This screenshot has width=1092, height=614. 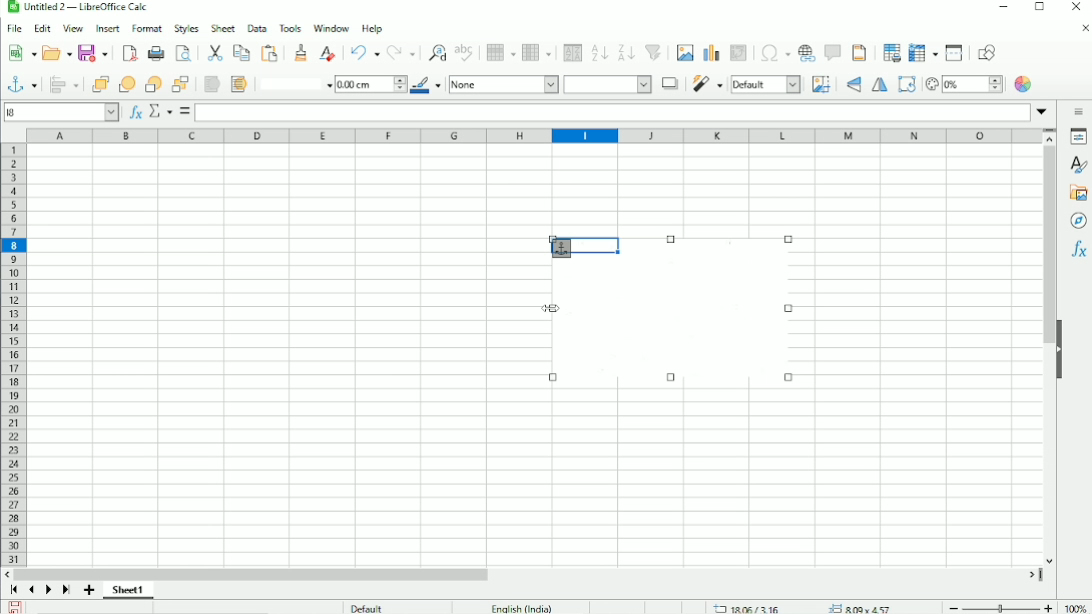 I want to click on Minimize, so click(x=1001, y=8).